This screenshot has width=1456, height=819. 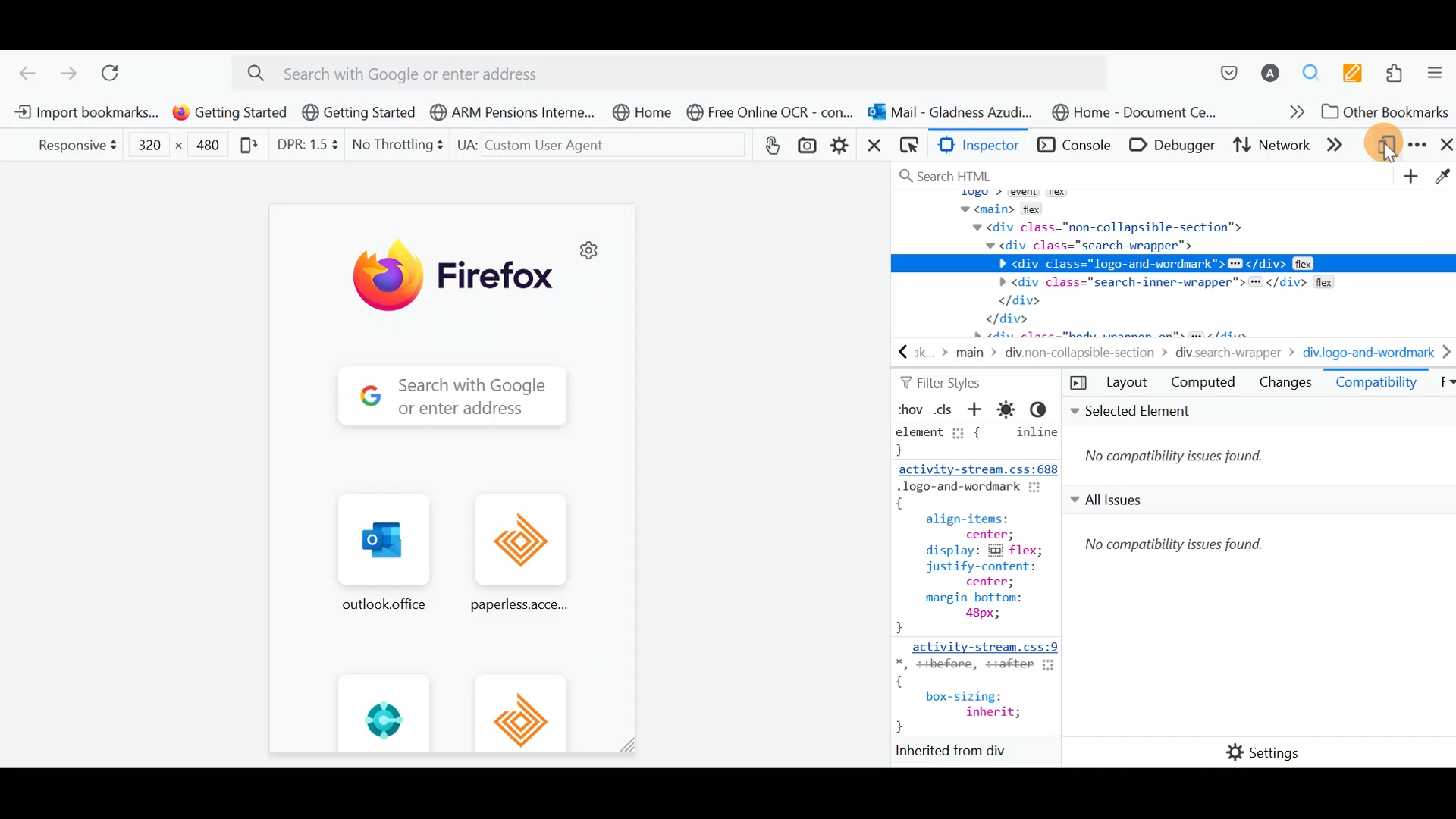 I want to click on Go forward one page, so click(x=67, y=71).